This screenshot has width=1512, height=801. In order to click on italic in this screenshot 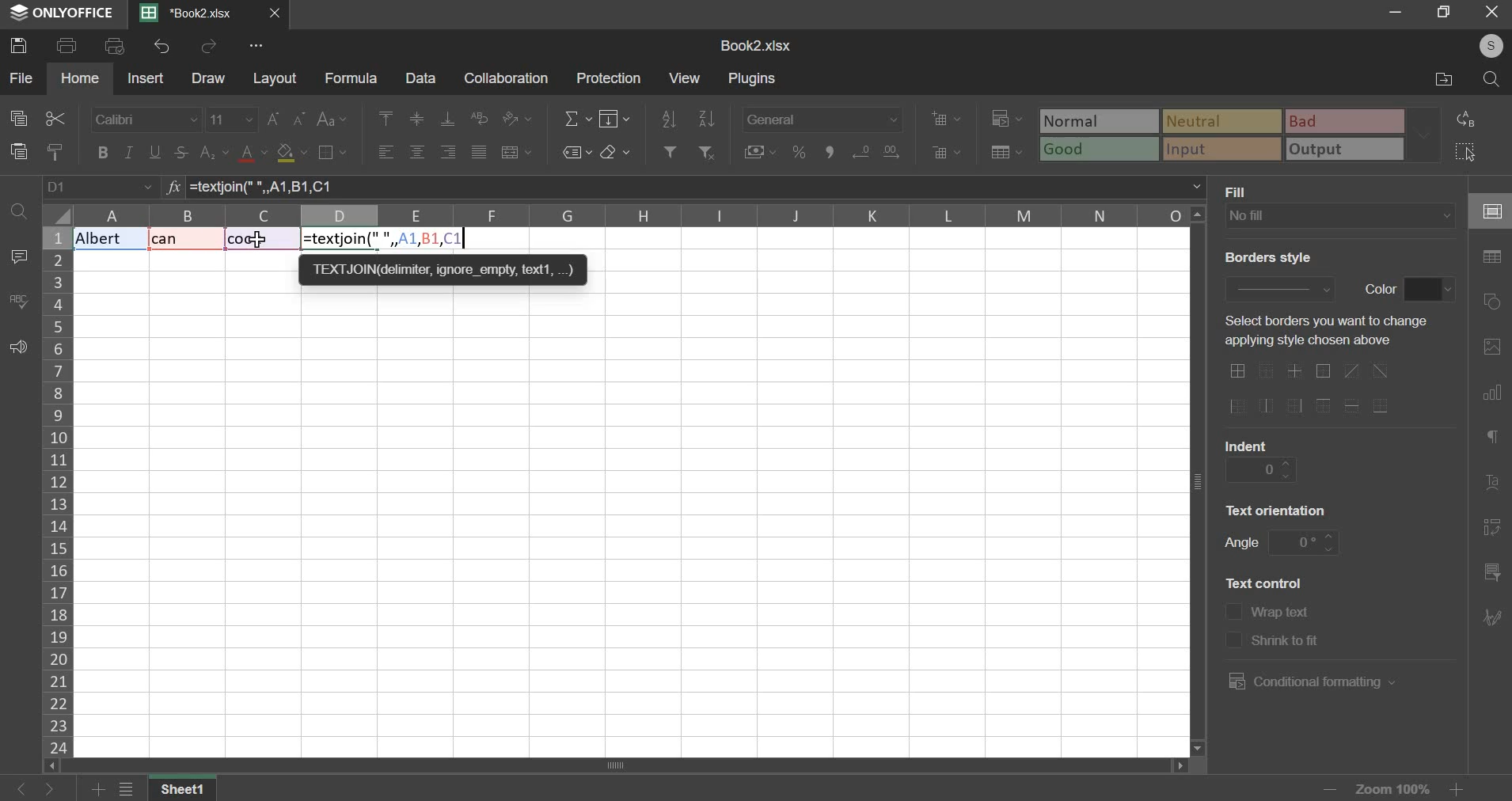, I will do `click(128, 152)`.